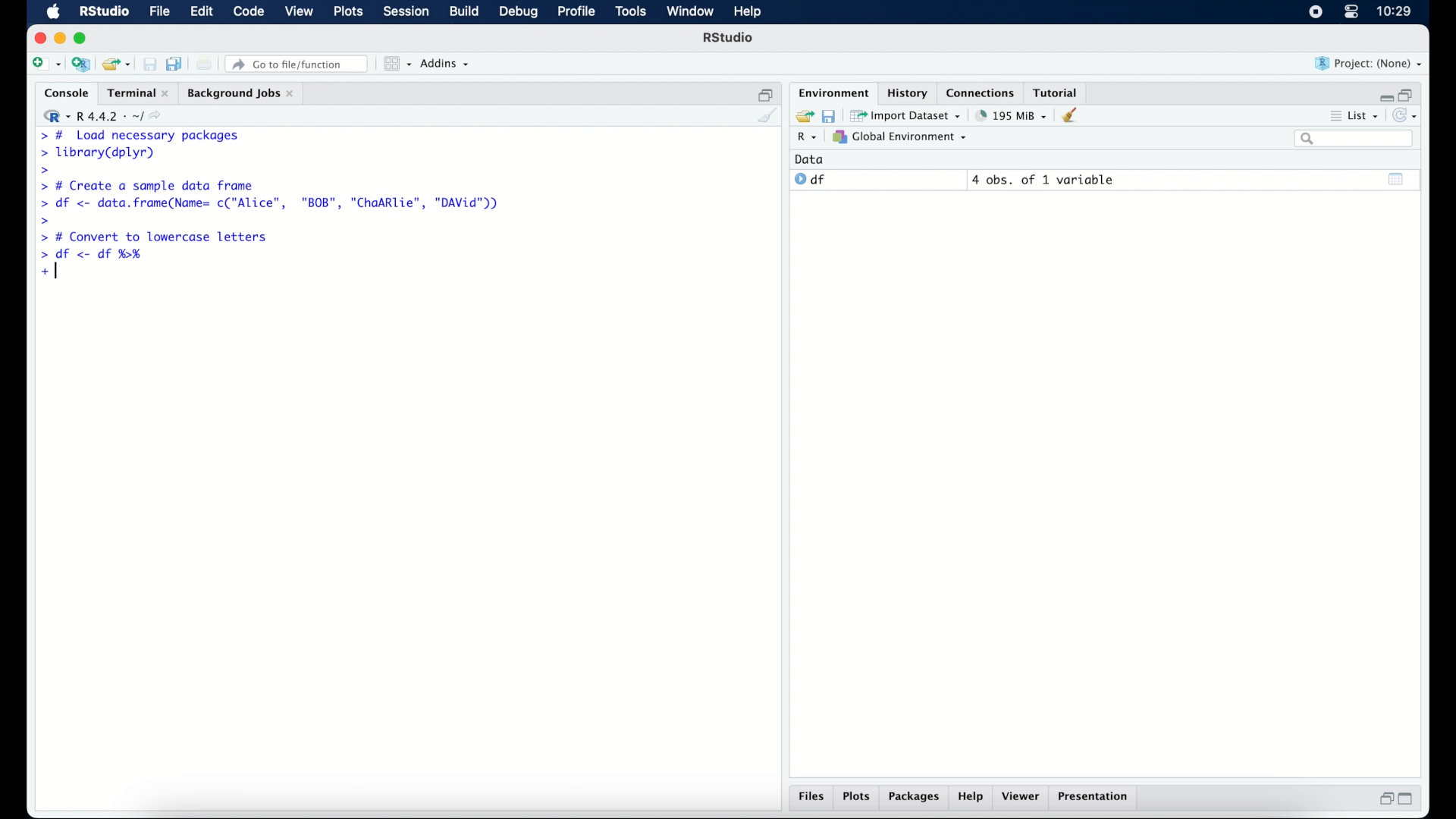 The image size is (1456, 819). What do you see at coordinates (1353, 118) in the screenshot?
I see `list` at bounding box center [1353, 118].